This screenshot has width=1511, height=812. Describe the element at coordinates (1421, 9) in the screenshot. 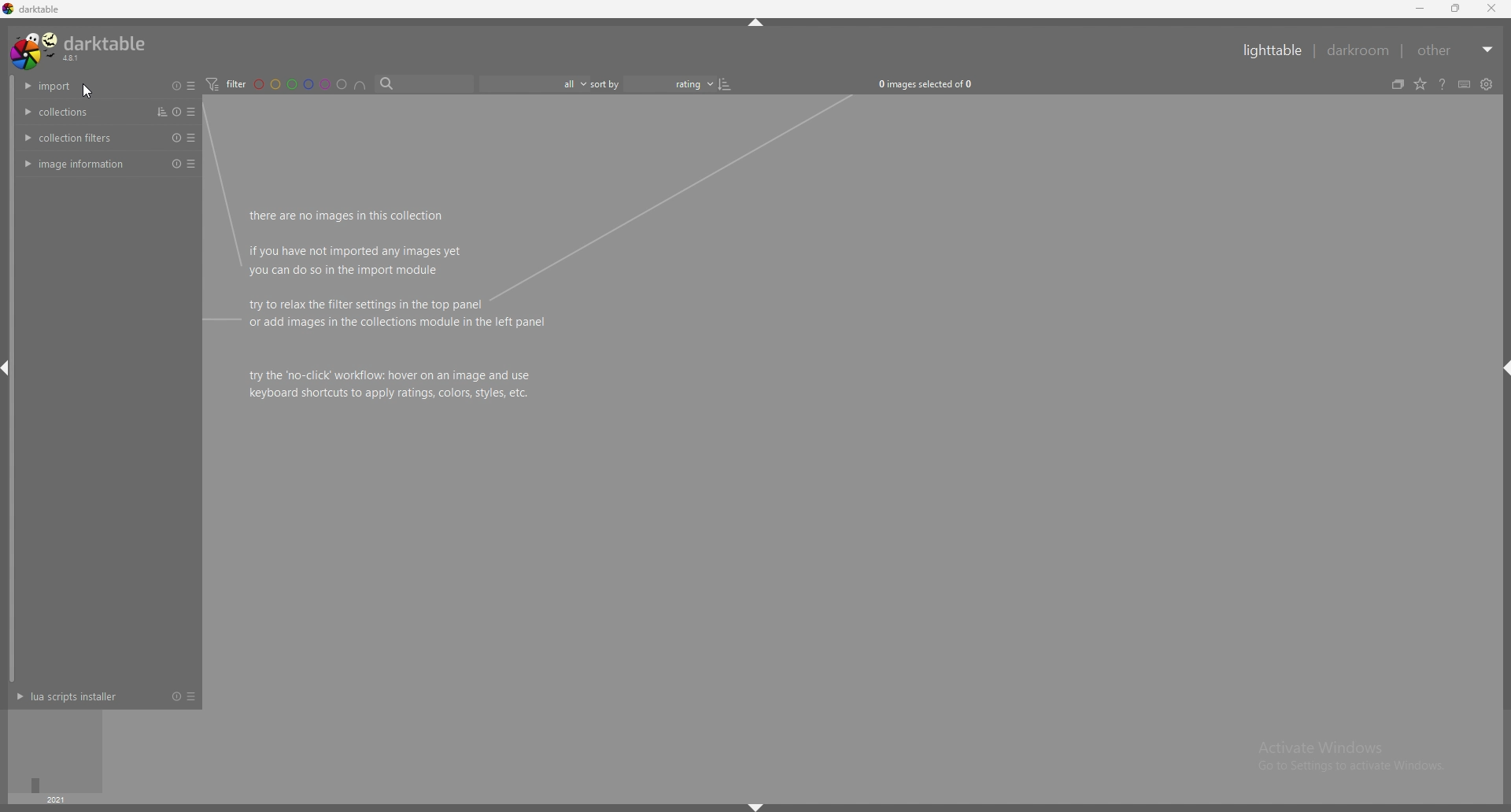

I see `minimize` at that location.